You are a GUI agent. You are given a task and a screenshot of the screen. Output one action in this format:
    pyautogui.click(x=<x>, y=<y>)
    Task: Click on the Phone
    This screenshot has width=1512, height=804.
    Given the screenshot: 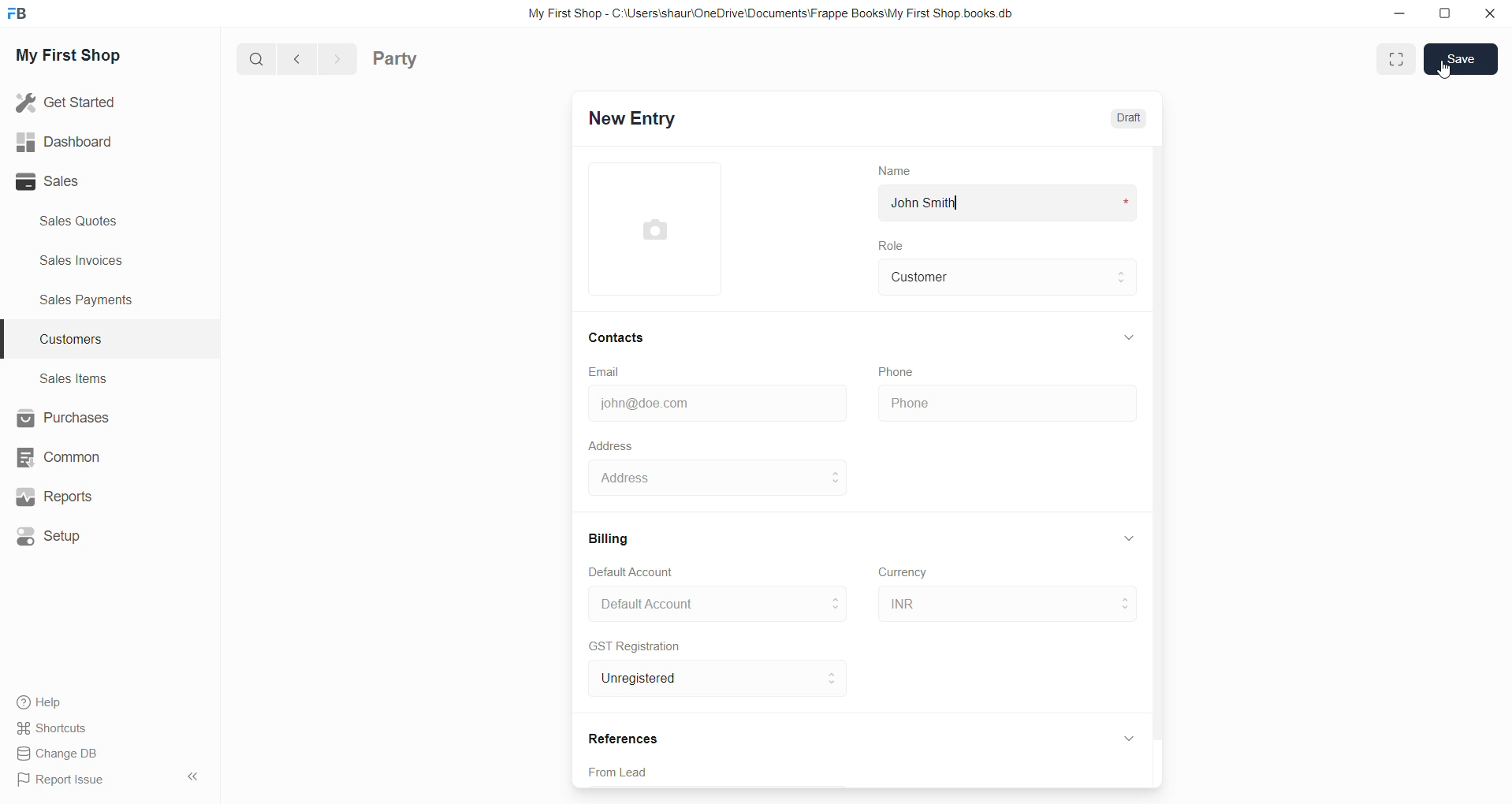 What is the action you would take?
    pyautogui.click(x=1006, y=404)
    